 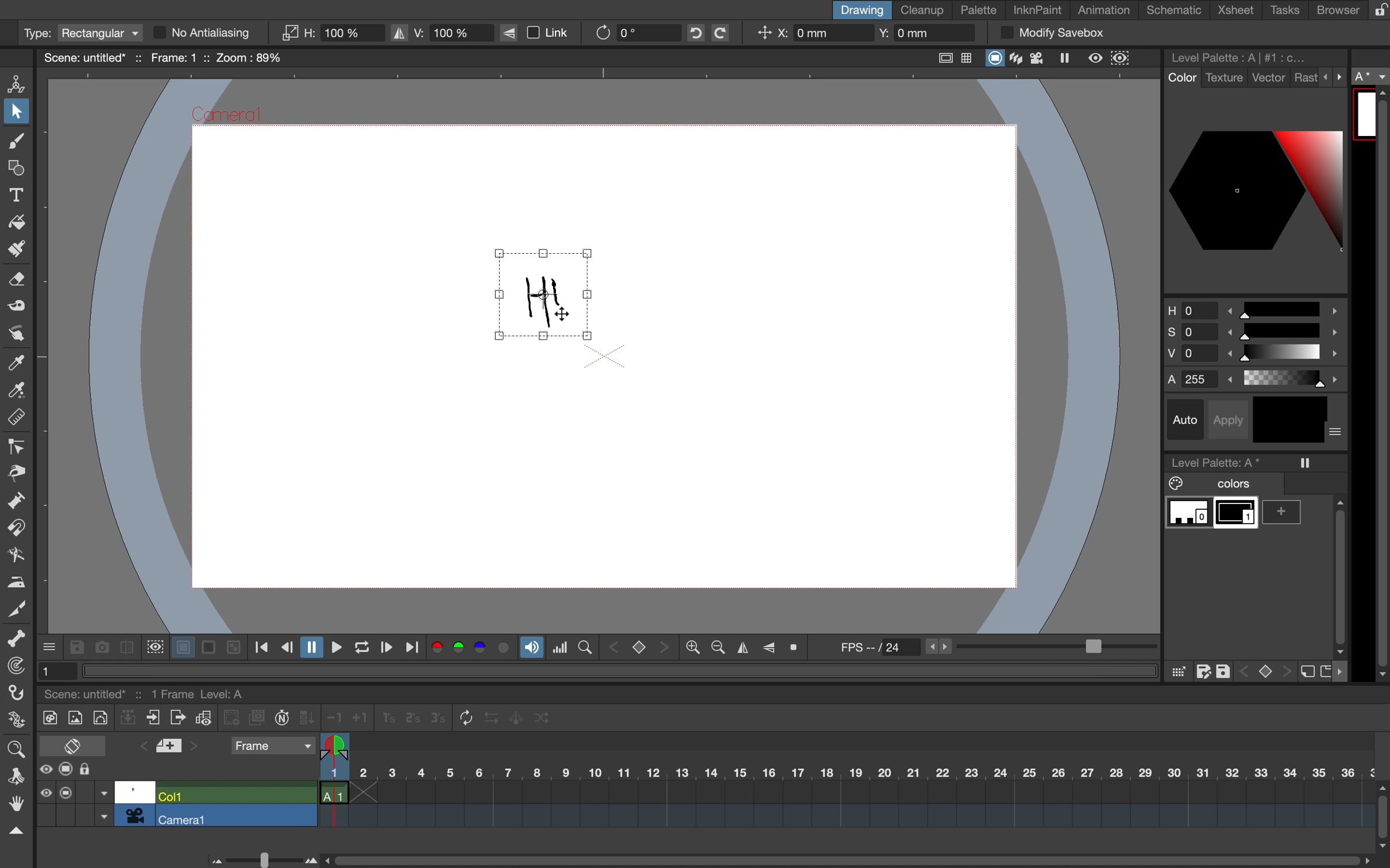 What do you see at coordinates (16, 169) in the screenshot?
I see `geometric tool` at bounding box center [16, 169].